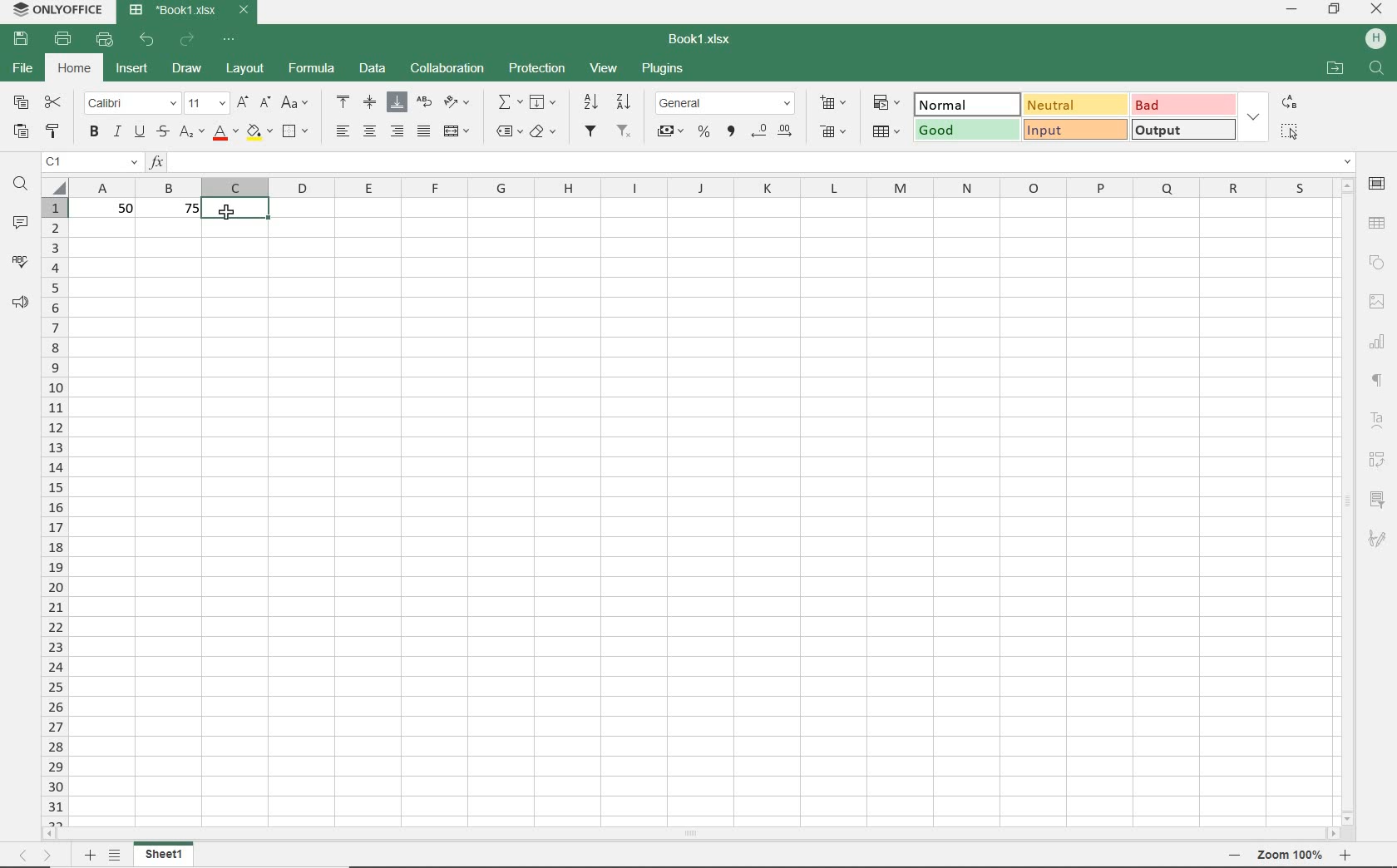 The width and height of the screenshot is (1397, 868). Describe the element at coordinates (297, 131) in the screenshot. I see `borders` at that location.